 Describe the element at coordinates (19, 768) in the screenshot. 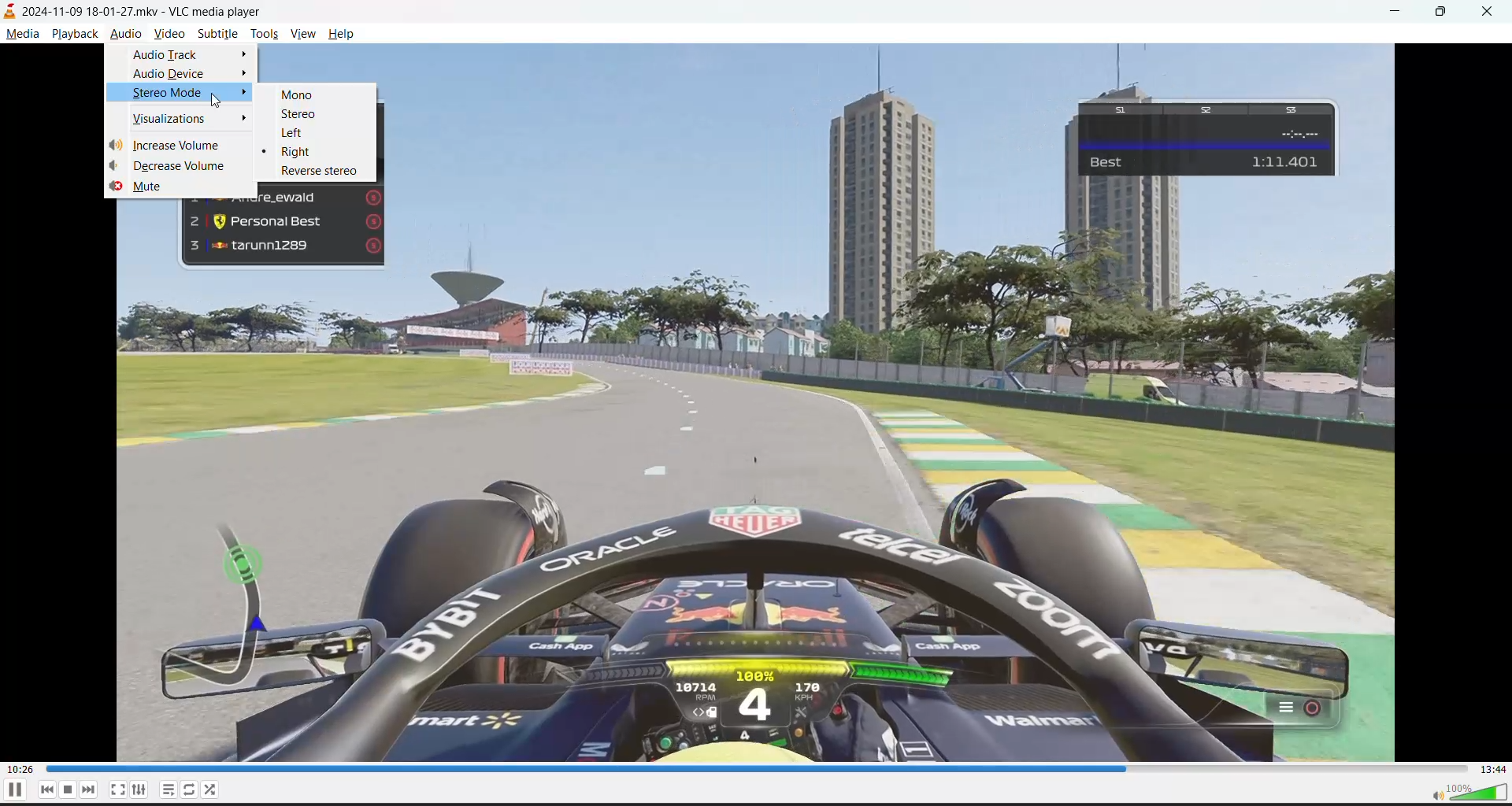

I see `00:26` at that location.